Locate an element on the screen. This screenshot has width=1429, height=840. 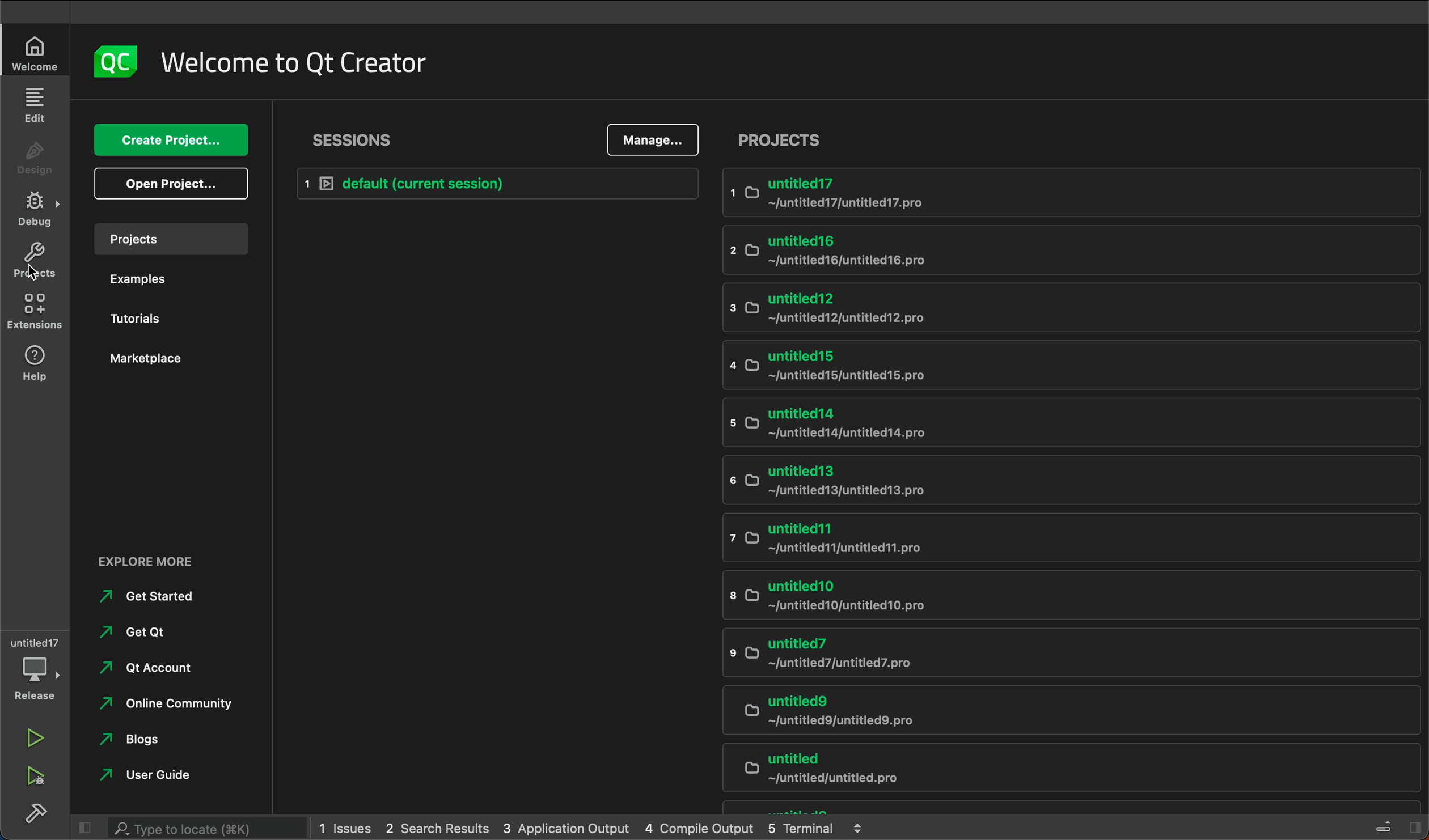
untitled 15 is located at coordinates (1024, 363).